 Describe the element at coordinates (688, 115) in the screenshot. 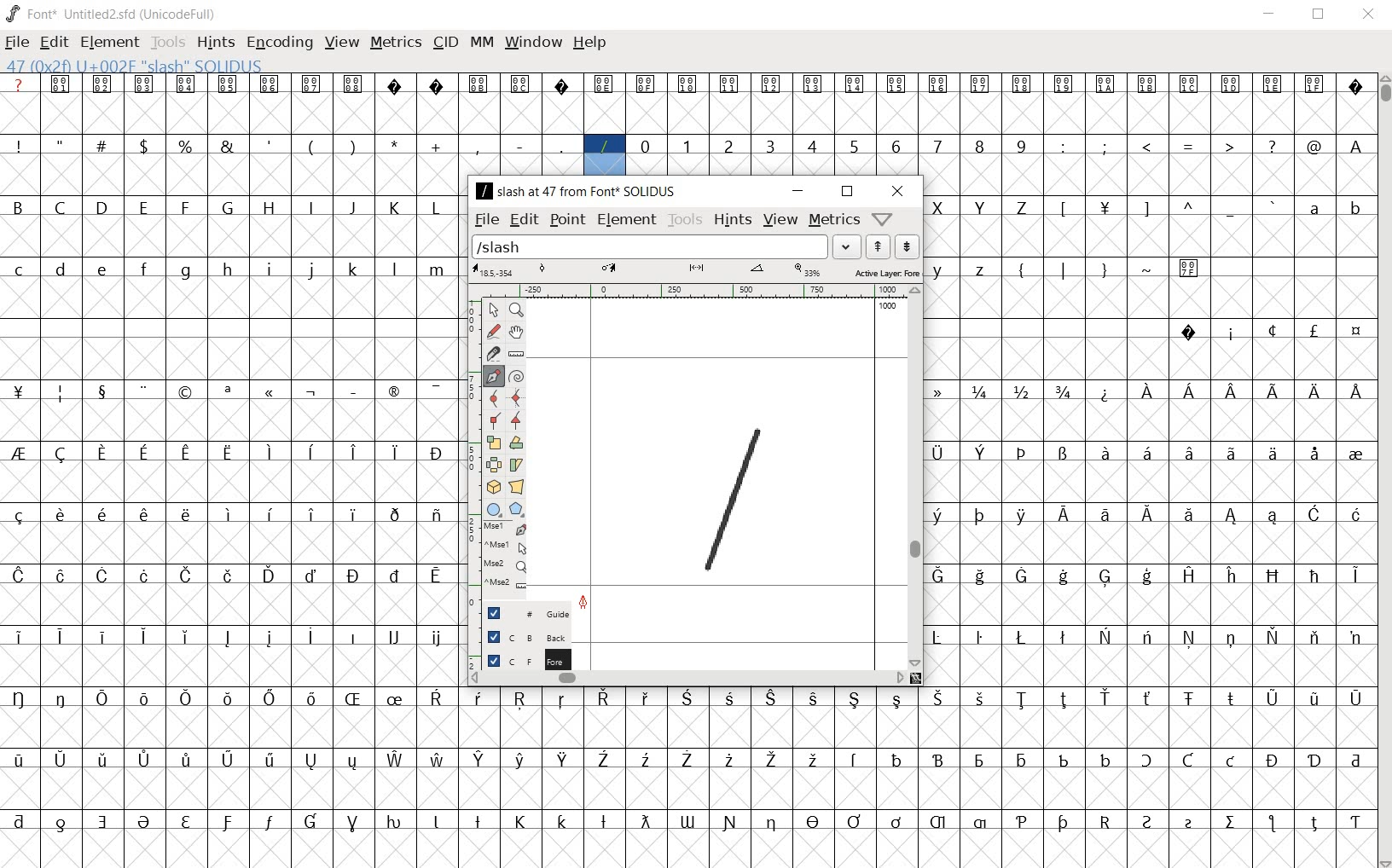

I see `empty cells` at that location.